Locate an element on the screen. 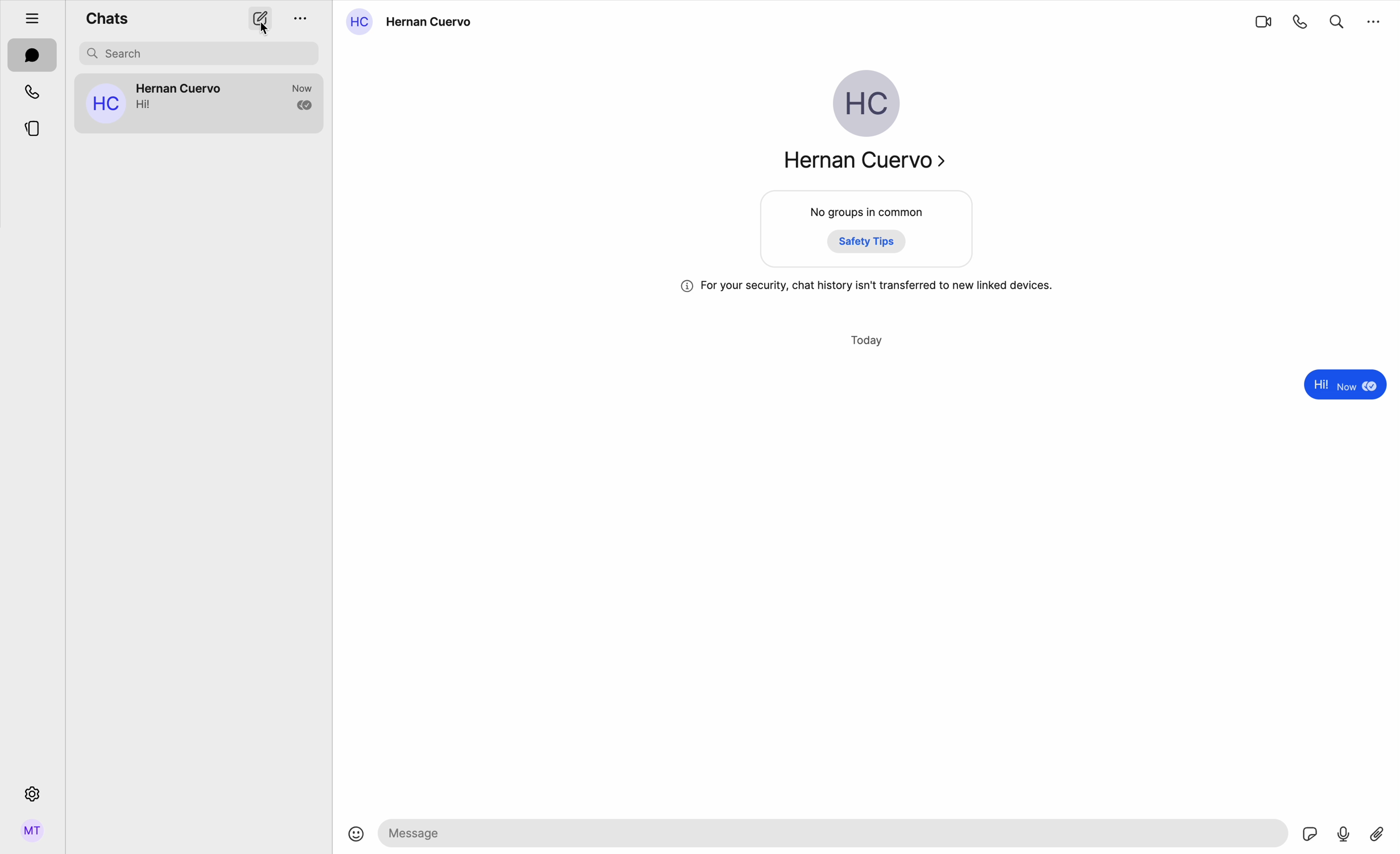 The width and height of the screenshot is (1400, 854). profile is located at coordinates (32, 835).